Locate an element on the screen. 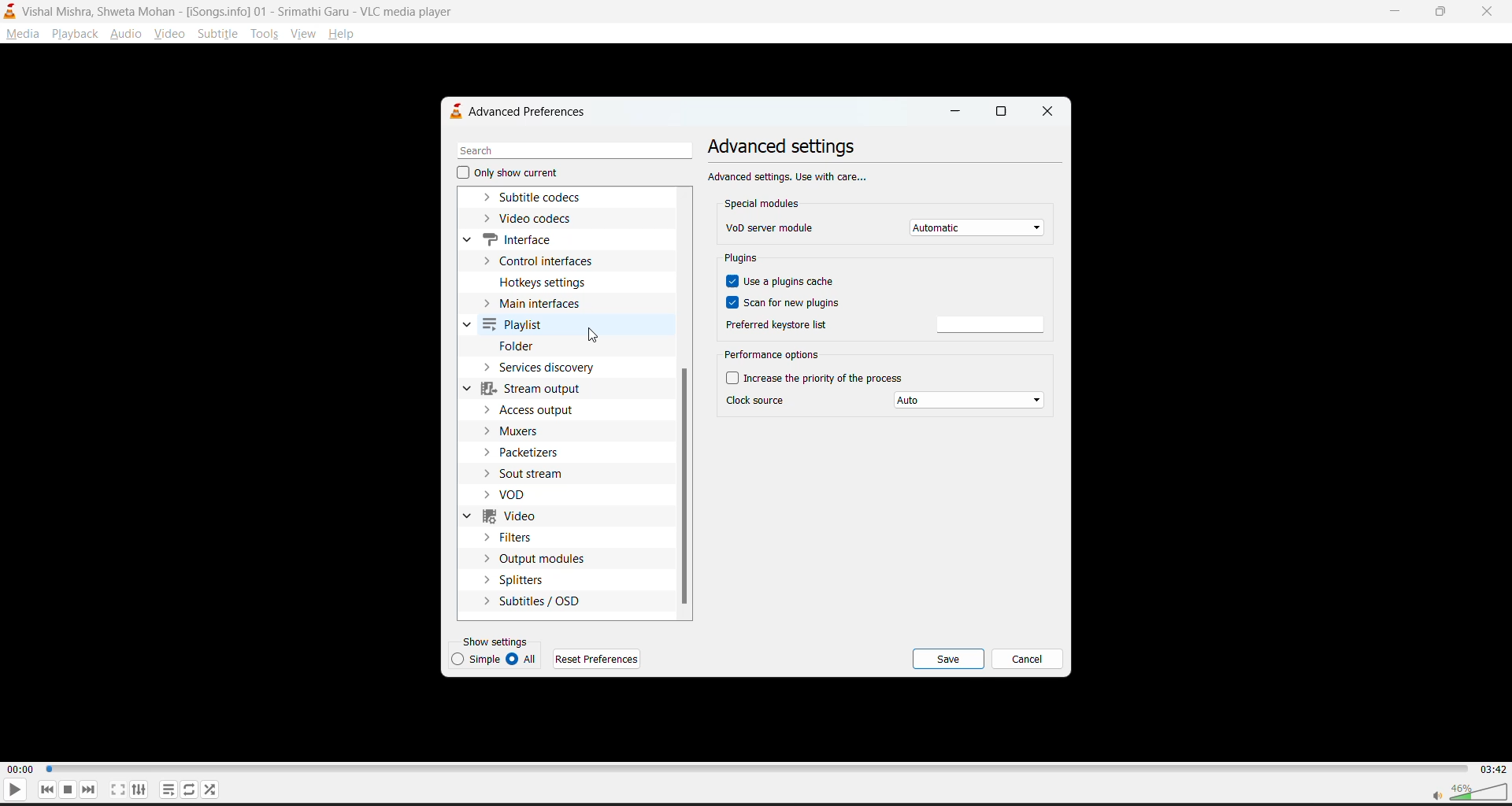 This screenshot has width=1512, height=806. interface is located at coordinates (524, 241).